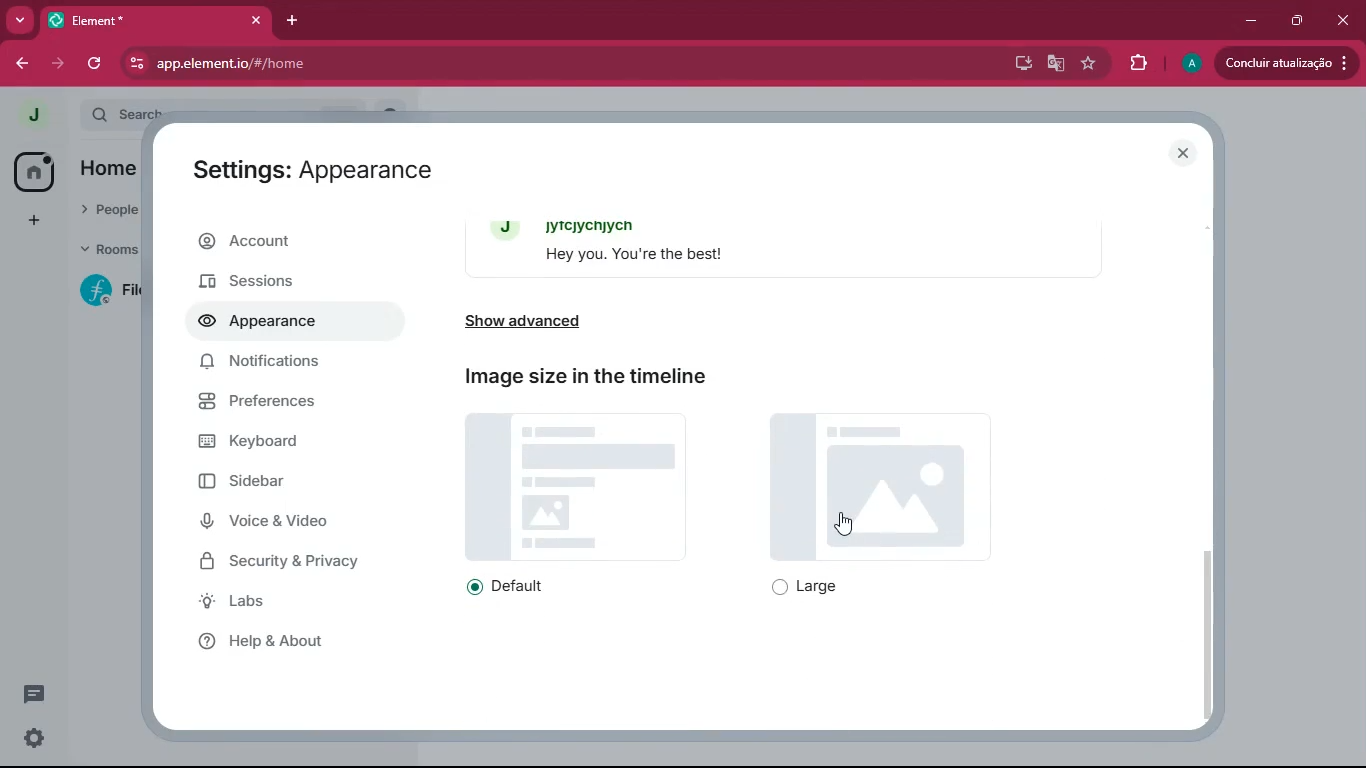 The width and height of the screenshot is (1366, 768). Describe the element at coordinates (793, 246) in the screenshot. I see `message bubbles` at that location.